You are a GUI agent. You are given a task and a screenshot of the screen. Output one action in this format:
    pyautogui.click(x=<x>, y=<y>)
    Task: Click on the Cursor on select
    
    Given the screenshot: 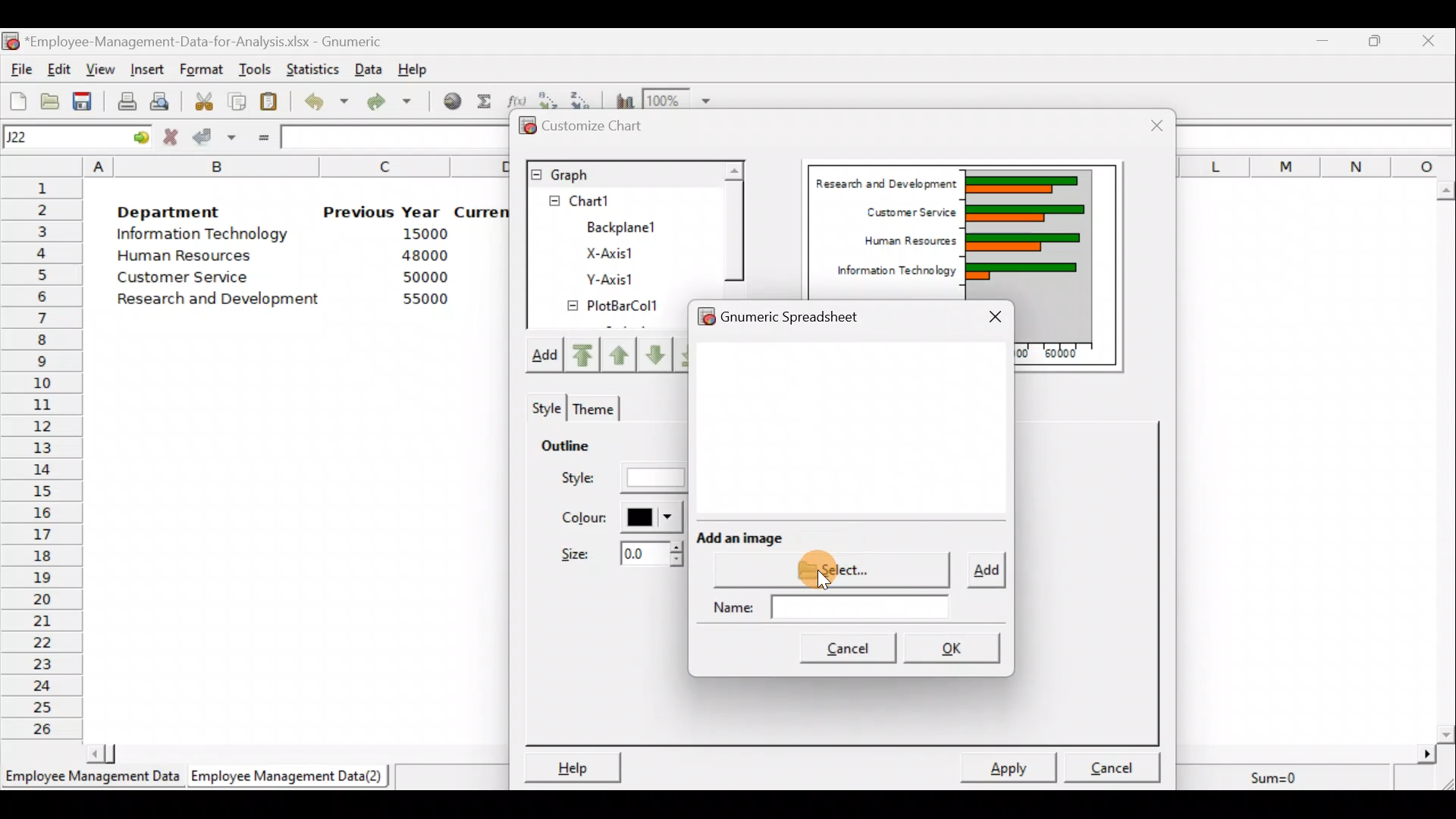 What is the action you would take?
    pyautogui.click(x=839, y=559)
    